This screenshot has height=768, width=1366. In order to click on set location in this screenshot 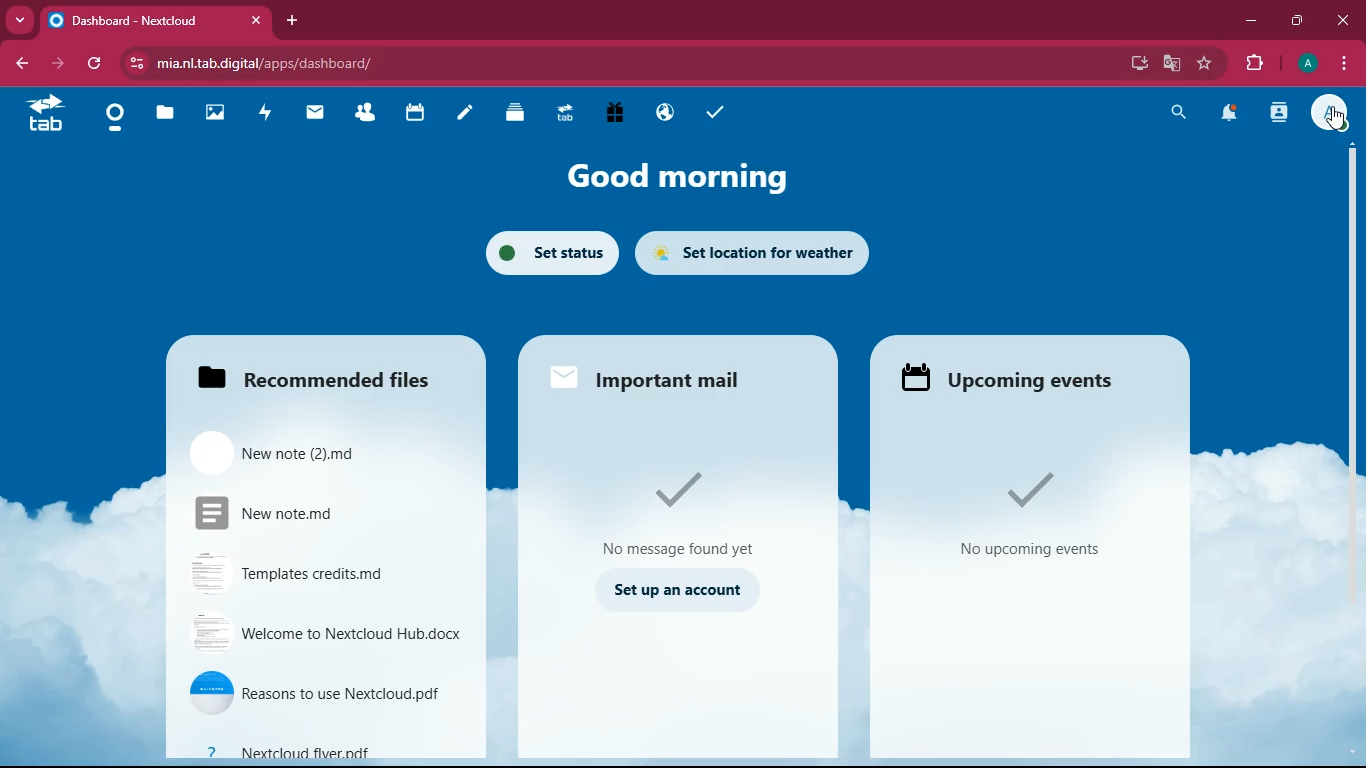, I will do `click(760, 253)`.